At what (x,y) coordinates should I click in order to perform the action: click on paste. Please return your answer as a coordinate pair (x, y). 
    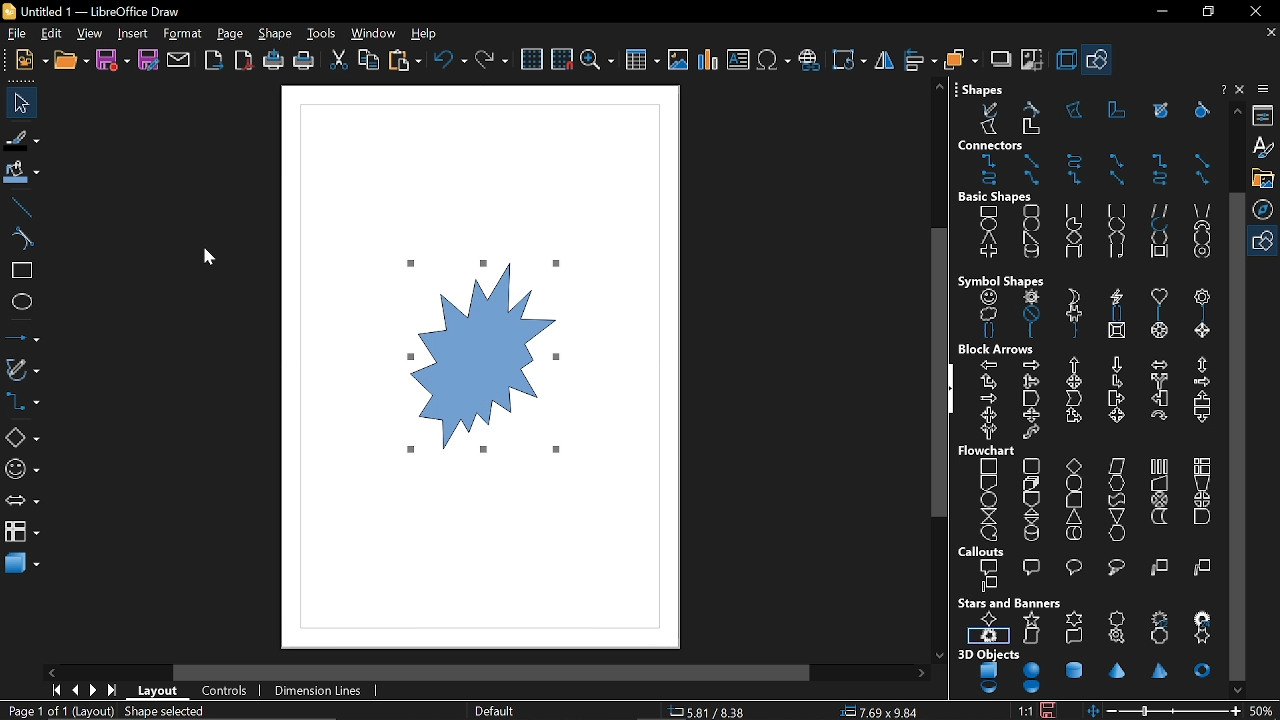
    Looking at the image, I should click on (404, 60).